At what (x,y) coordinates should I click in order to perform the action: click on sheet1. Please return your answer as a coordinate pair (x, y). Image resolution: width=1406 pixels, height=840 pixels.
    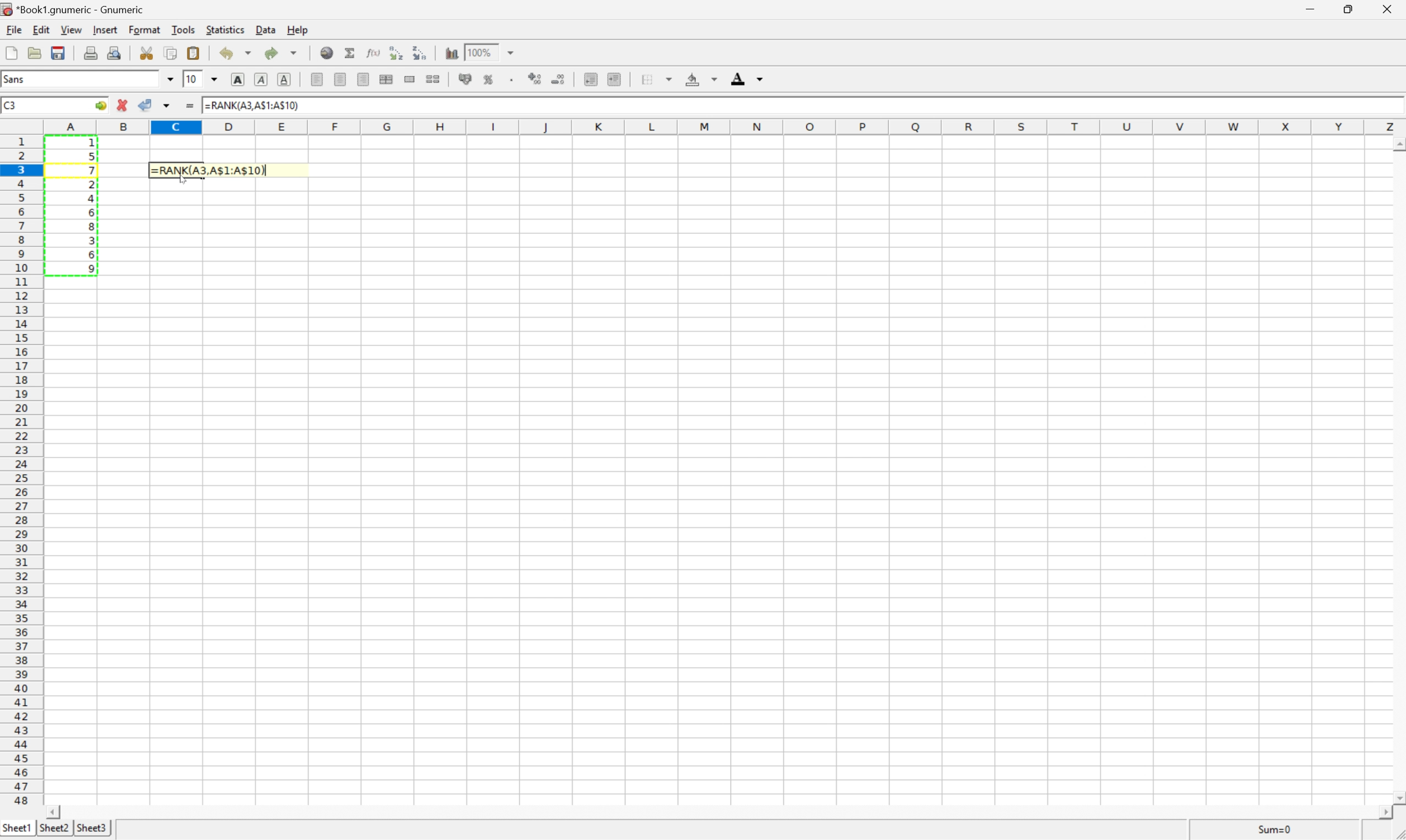
    Looking at the image, I should click on (16, 828).